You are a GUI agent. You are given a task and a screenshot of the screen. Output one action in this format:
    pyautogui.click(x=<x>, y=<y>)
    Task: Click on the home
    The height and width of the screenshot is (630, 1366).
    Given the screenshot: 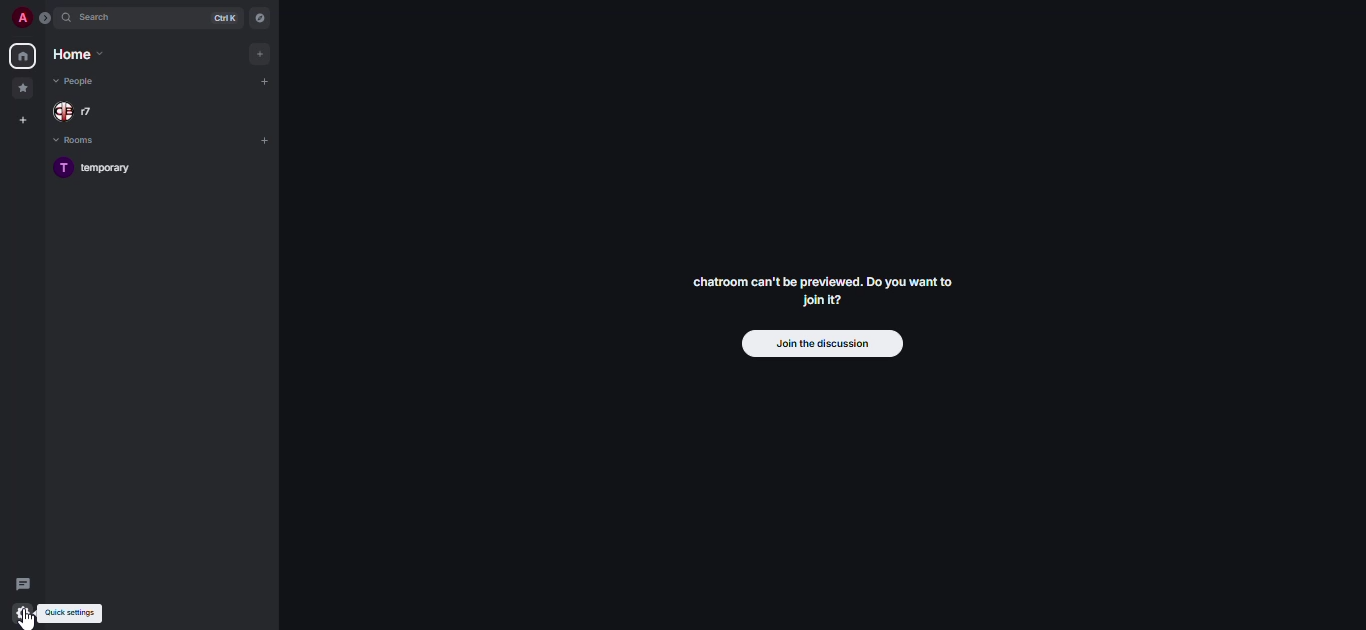 What is the action you would take?
    pyautogui.click(x=73, y=57)
    